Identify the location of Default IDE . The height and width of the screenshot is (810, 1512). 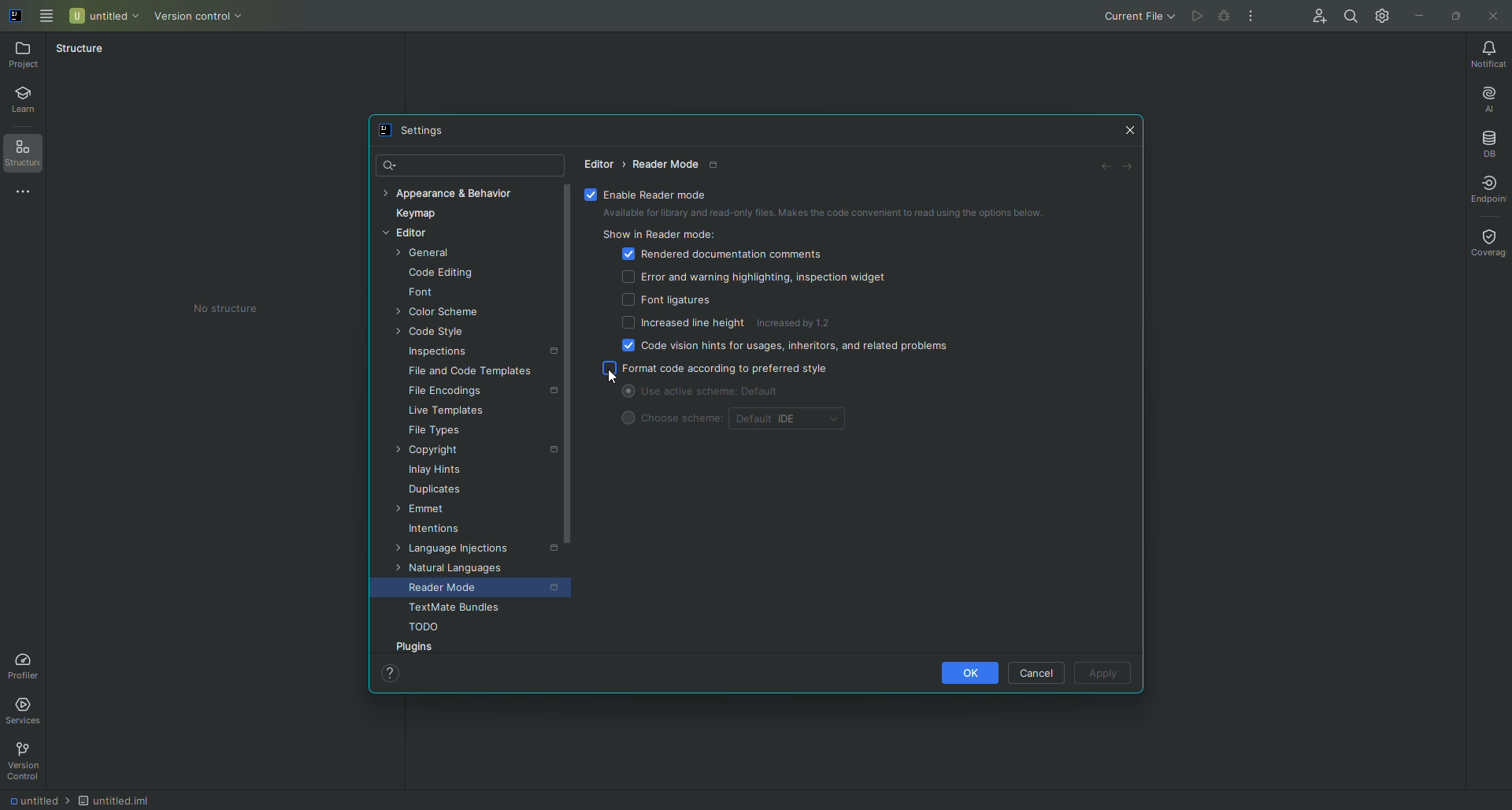
(792, 419).